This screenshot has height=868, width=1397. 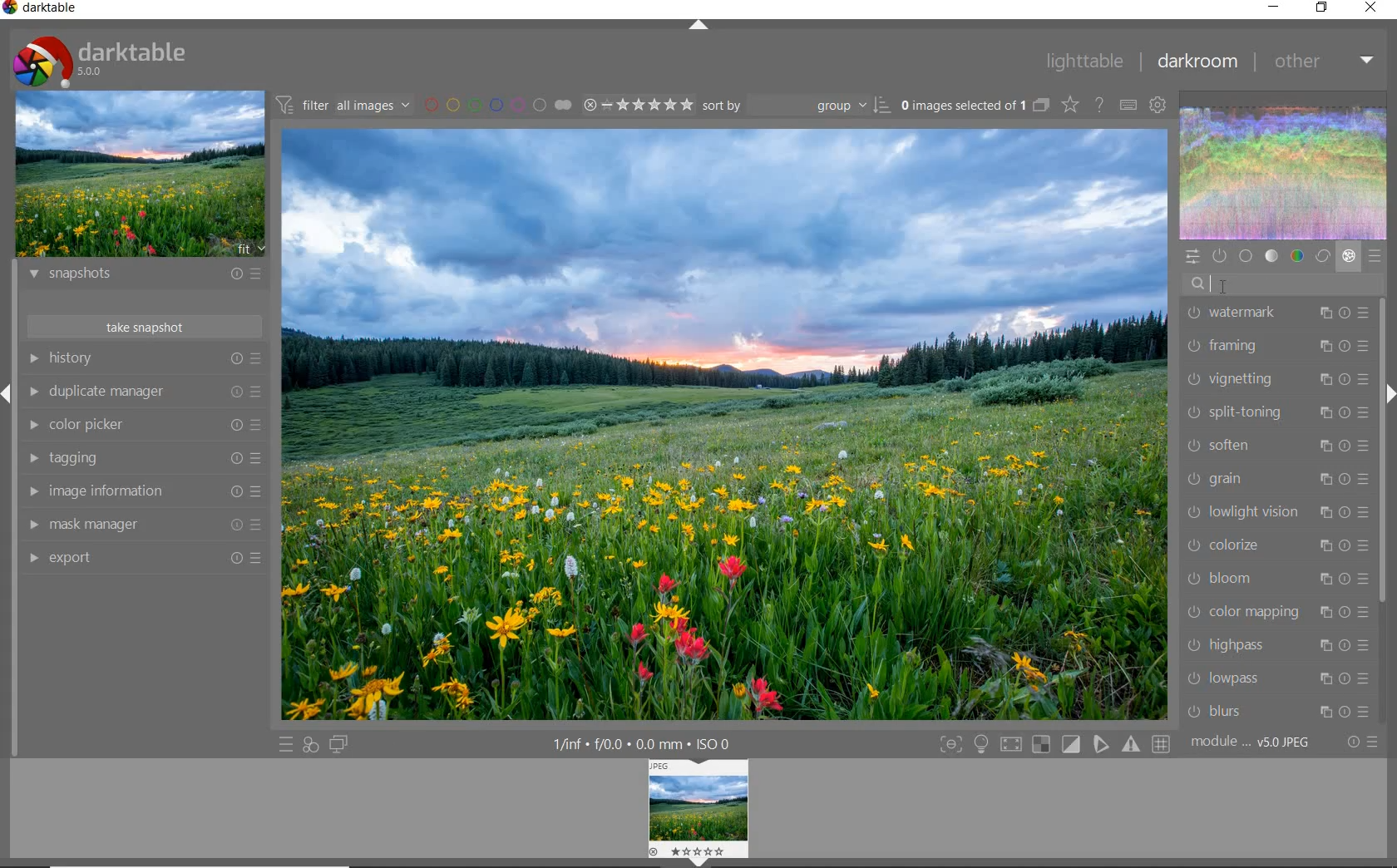 I want to click on module, so click(x=1251, y=742).